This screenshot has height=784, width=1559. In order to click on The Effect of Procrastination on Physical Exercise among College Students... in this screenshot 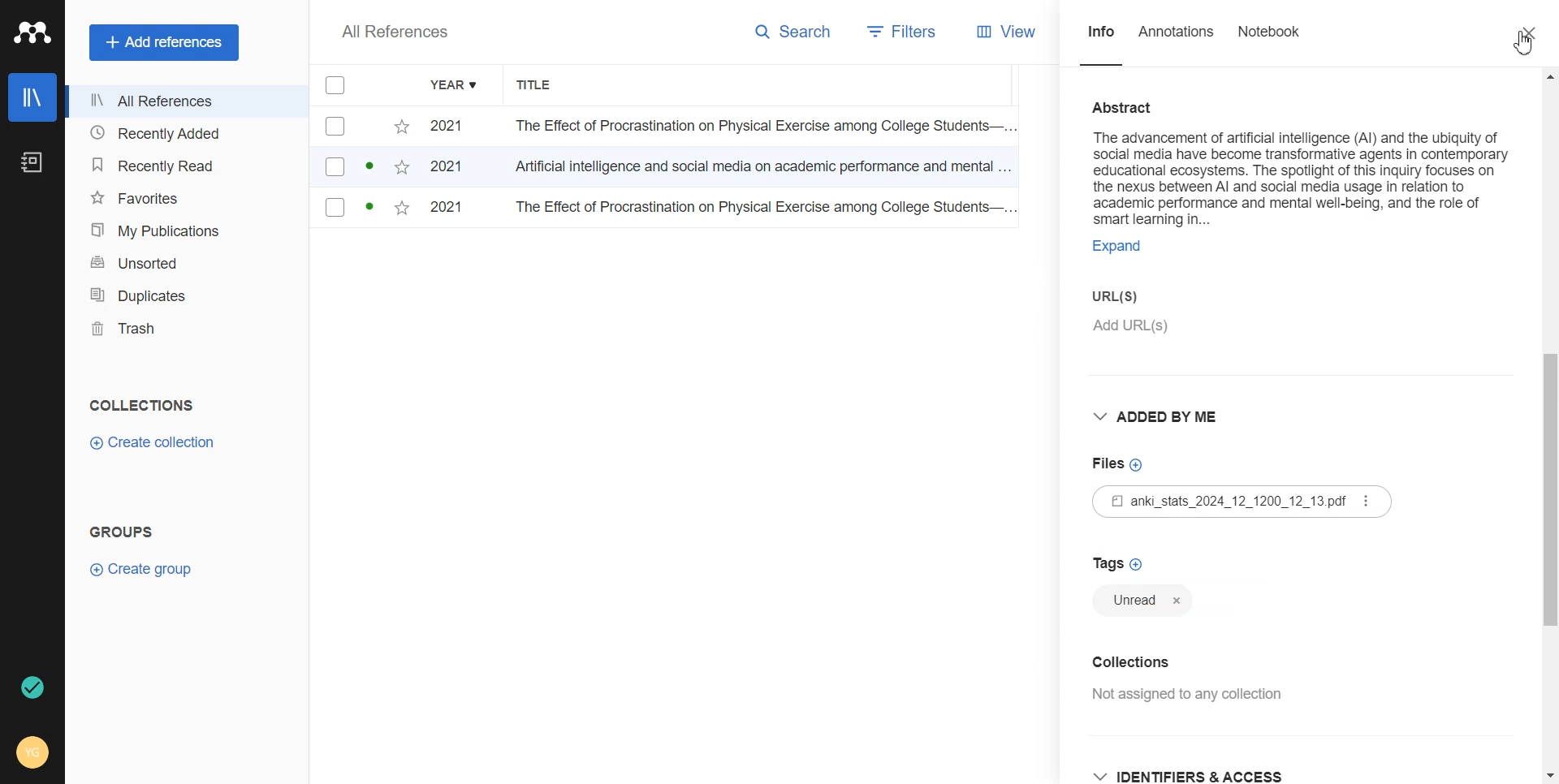, I will do `click(758, 127)`.